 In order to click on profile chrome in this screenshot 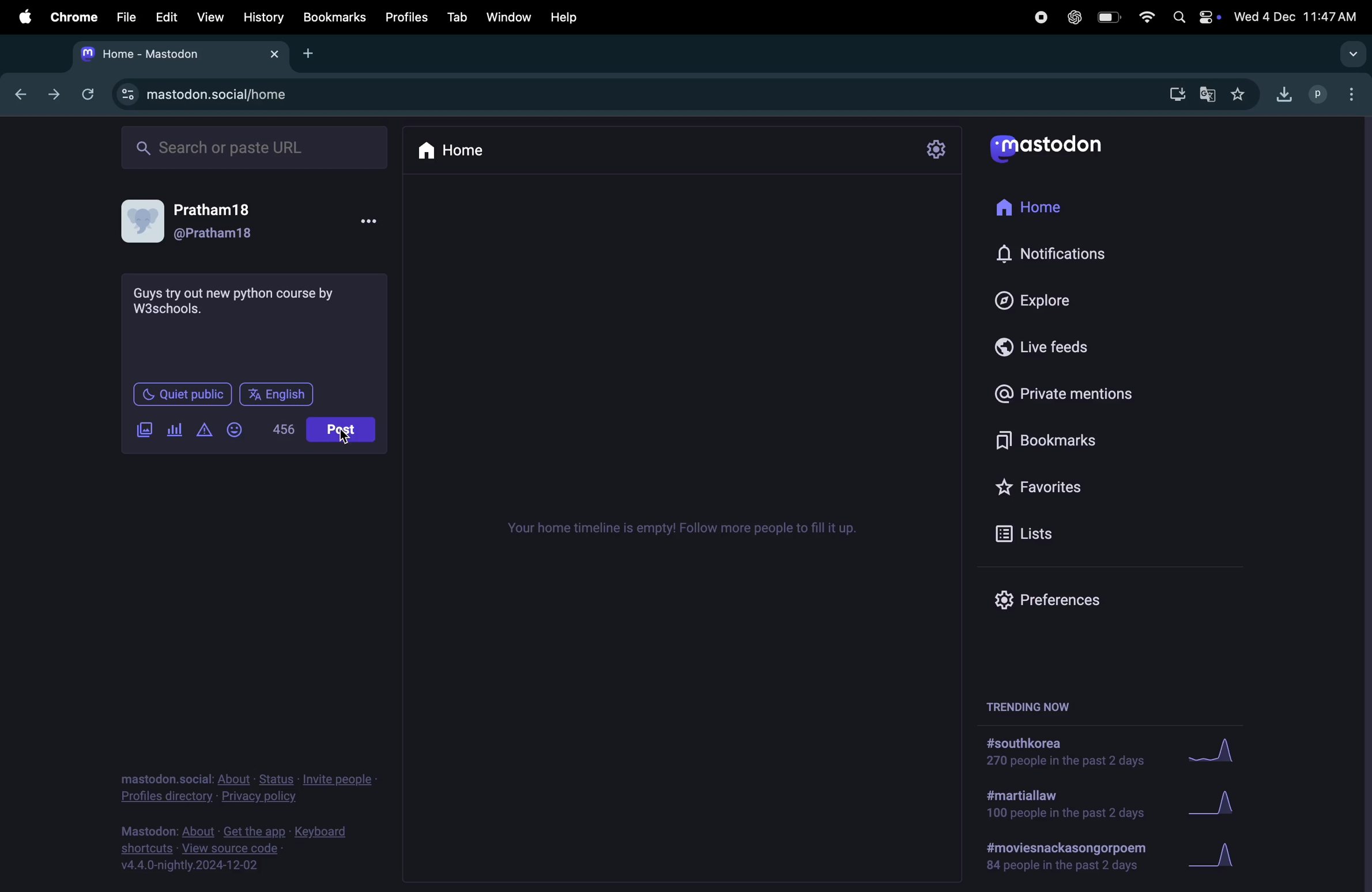, I will do `click(1337, 93)`.